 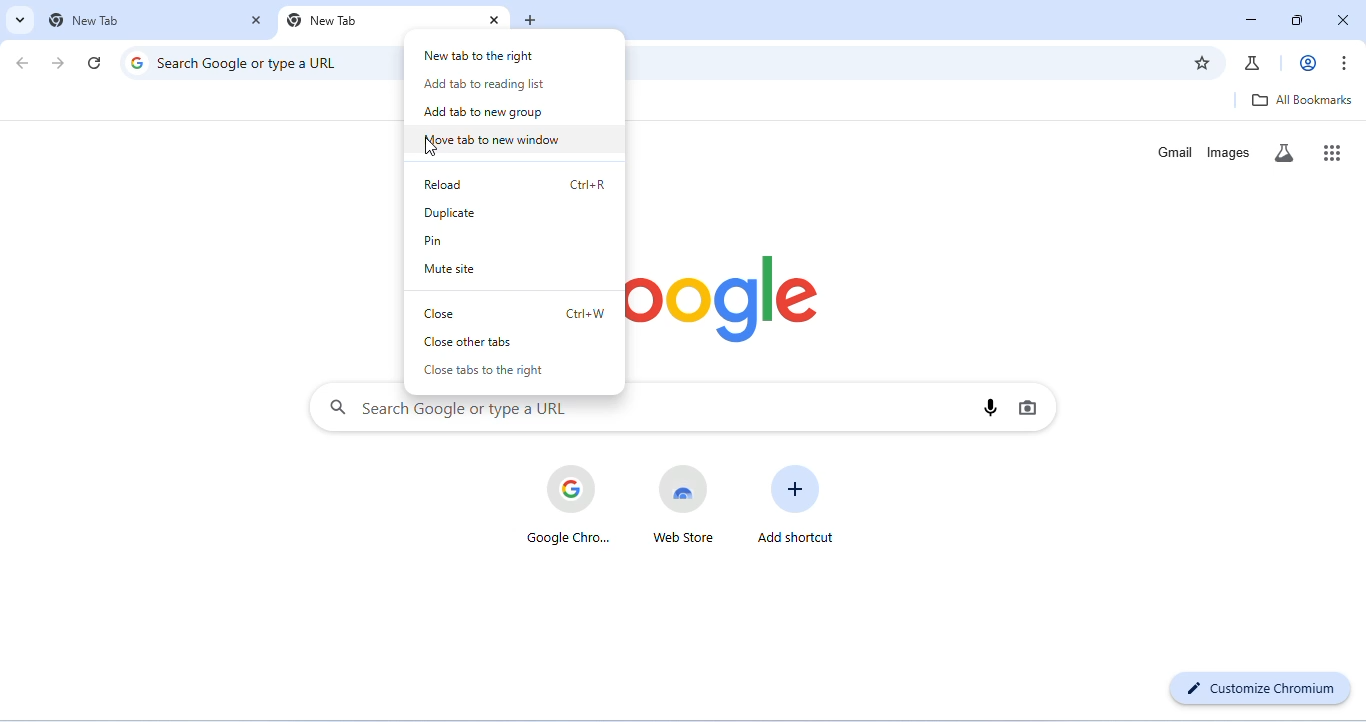 I want to click on search labs, so click(x=1284, y=152).